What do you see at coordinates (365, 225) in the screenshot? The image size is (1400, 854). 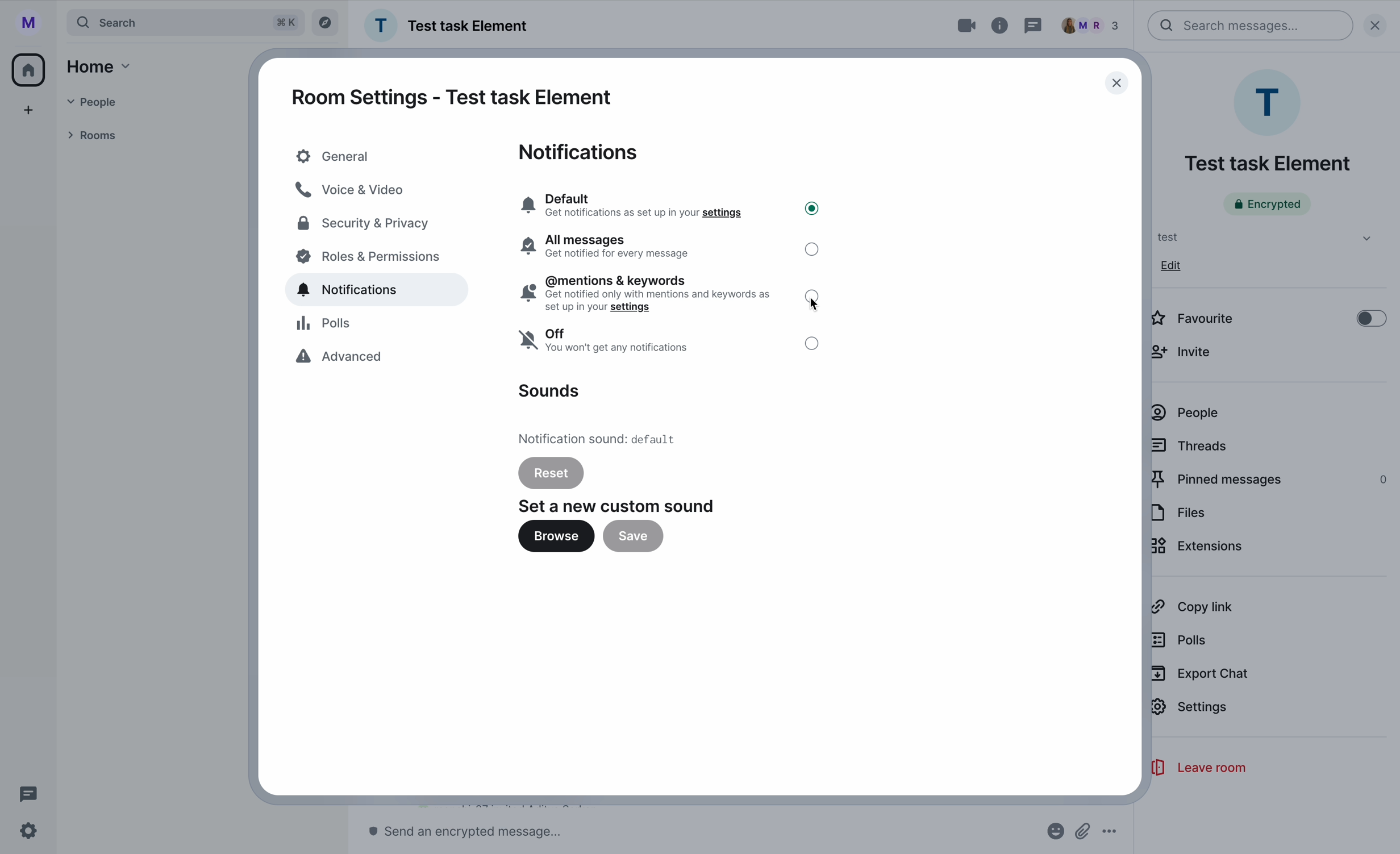 I see `security and privacy` at bounding box center [365, 225].